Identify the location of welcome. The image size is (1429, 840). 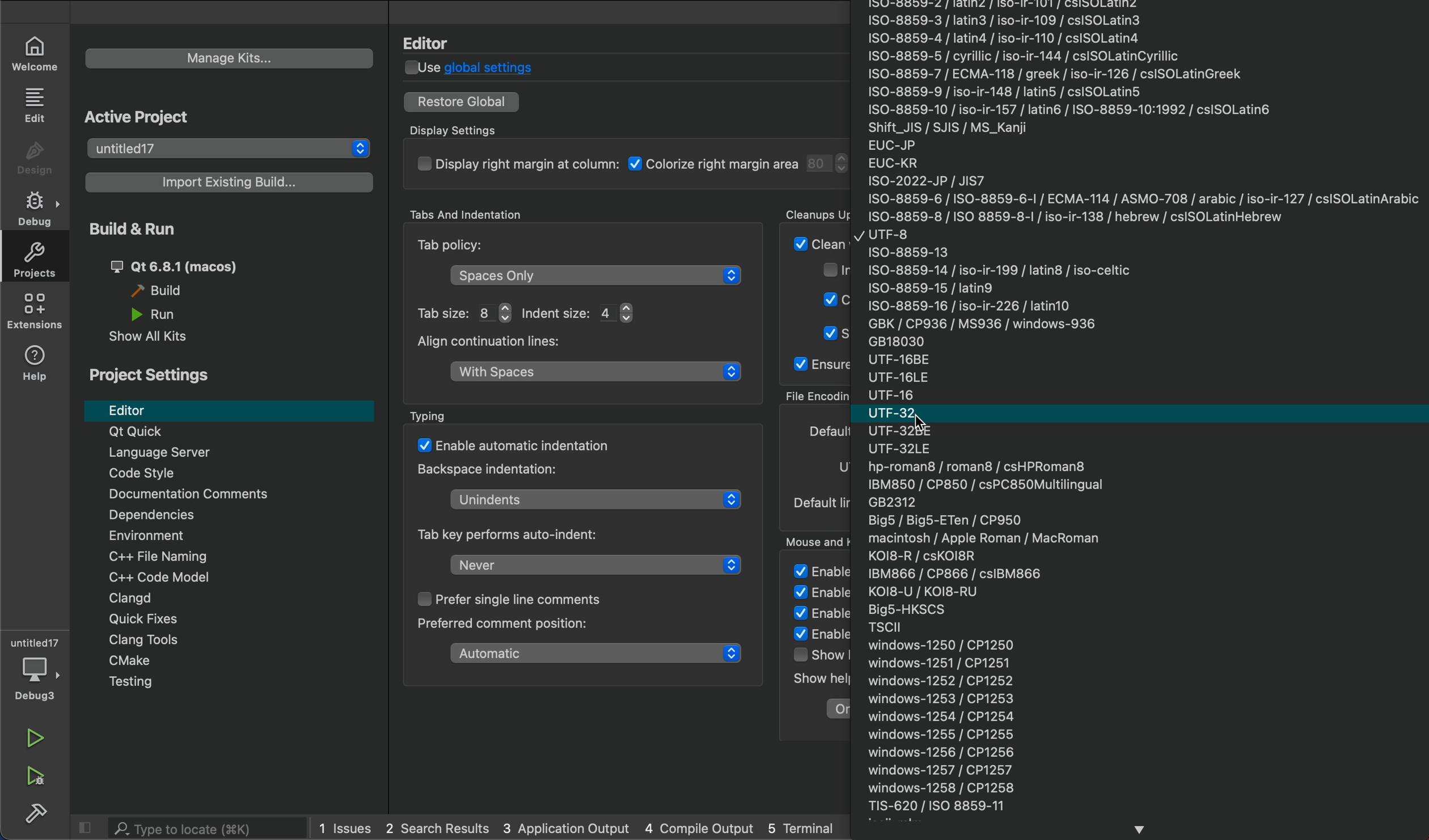
(38, 53).